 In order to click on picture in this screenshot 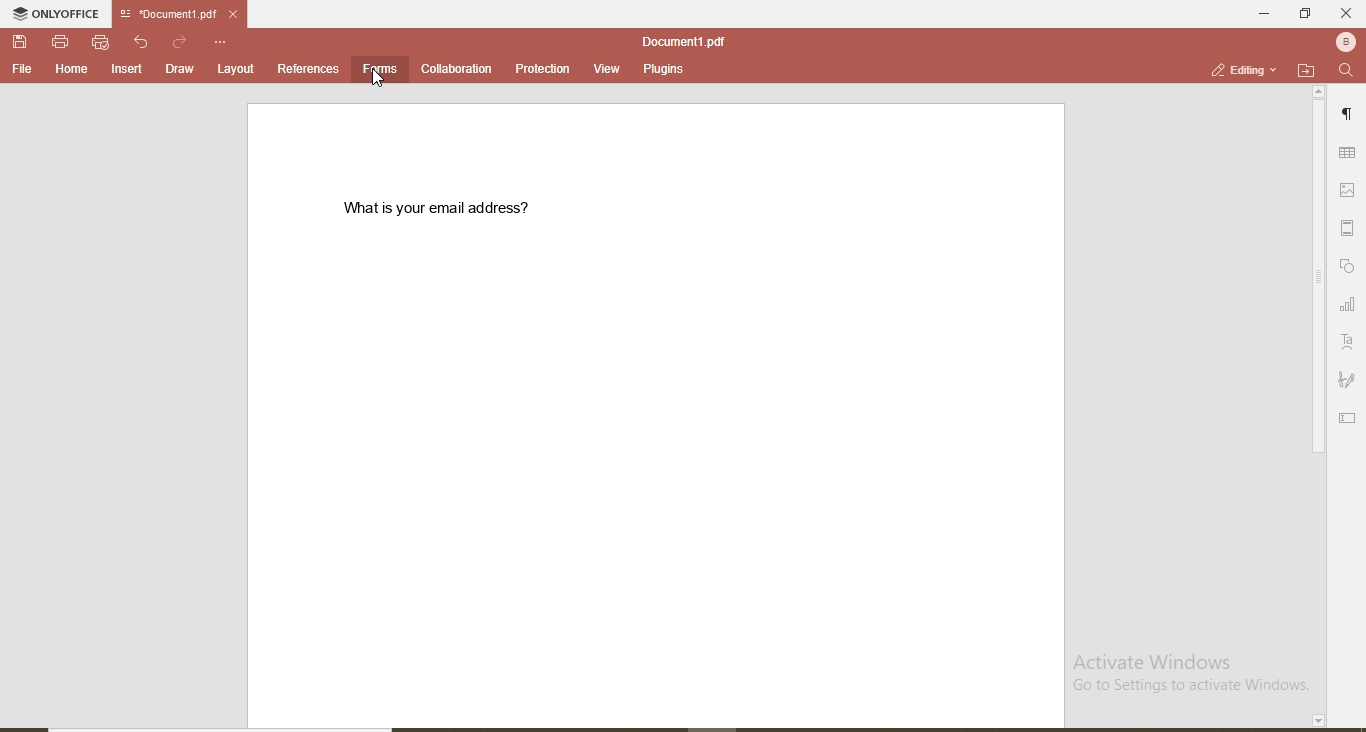, I will do `click(1351, 189)`.